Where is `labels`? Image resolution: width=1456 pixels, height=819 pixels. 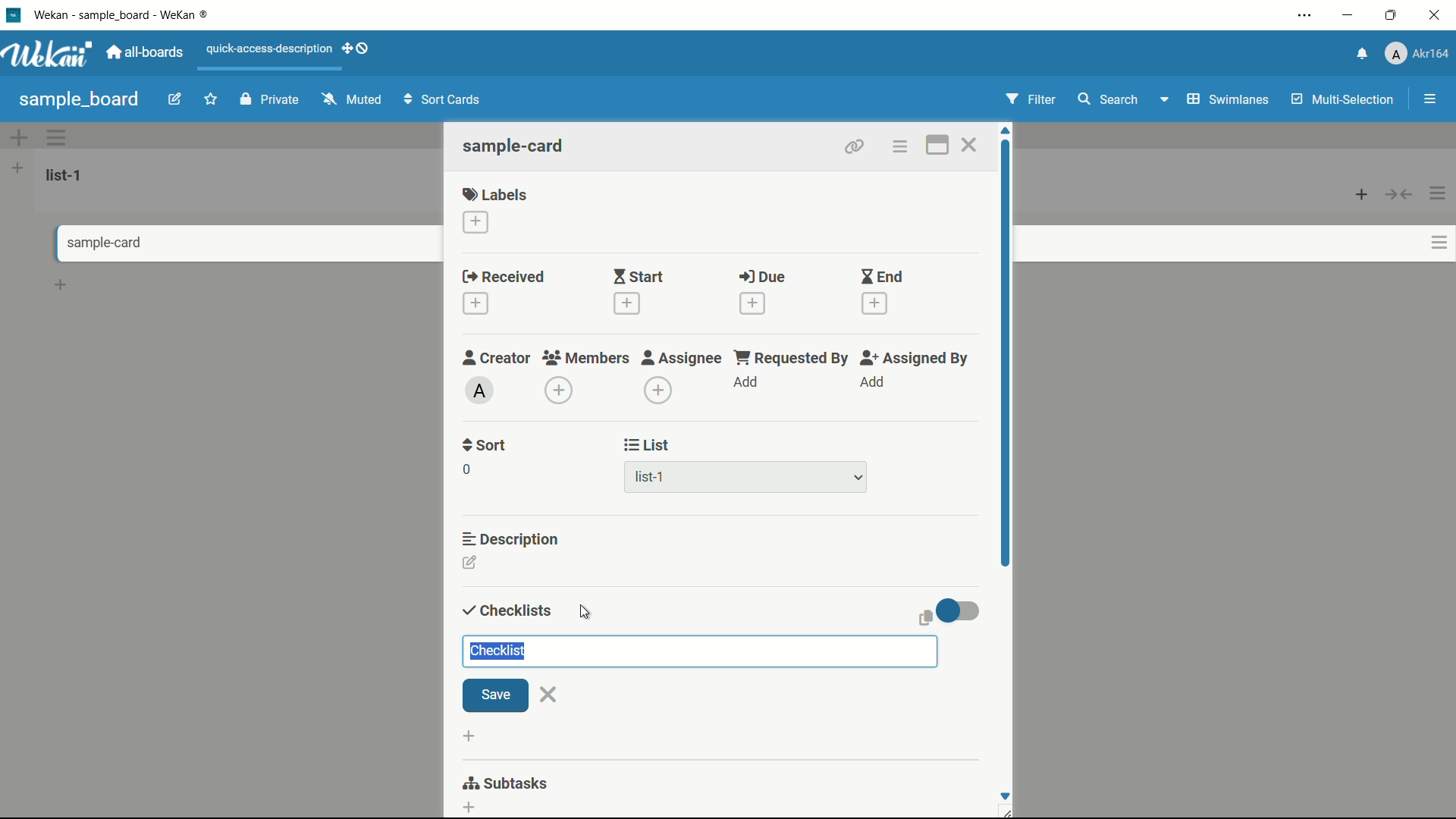 labels is located at coordinates (495, 193).